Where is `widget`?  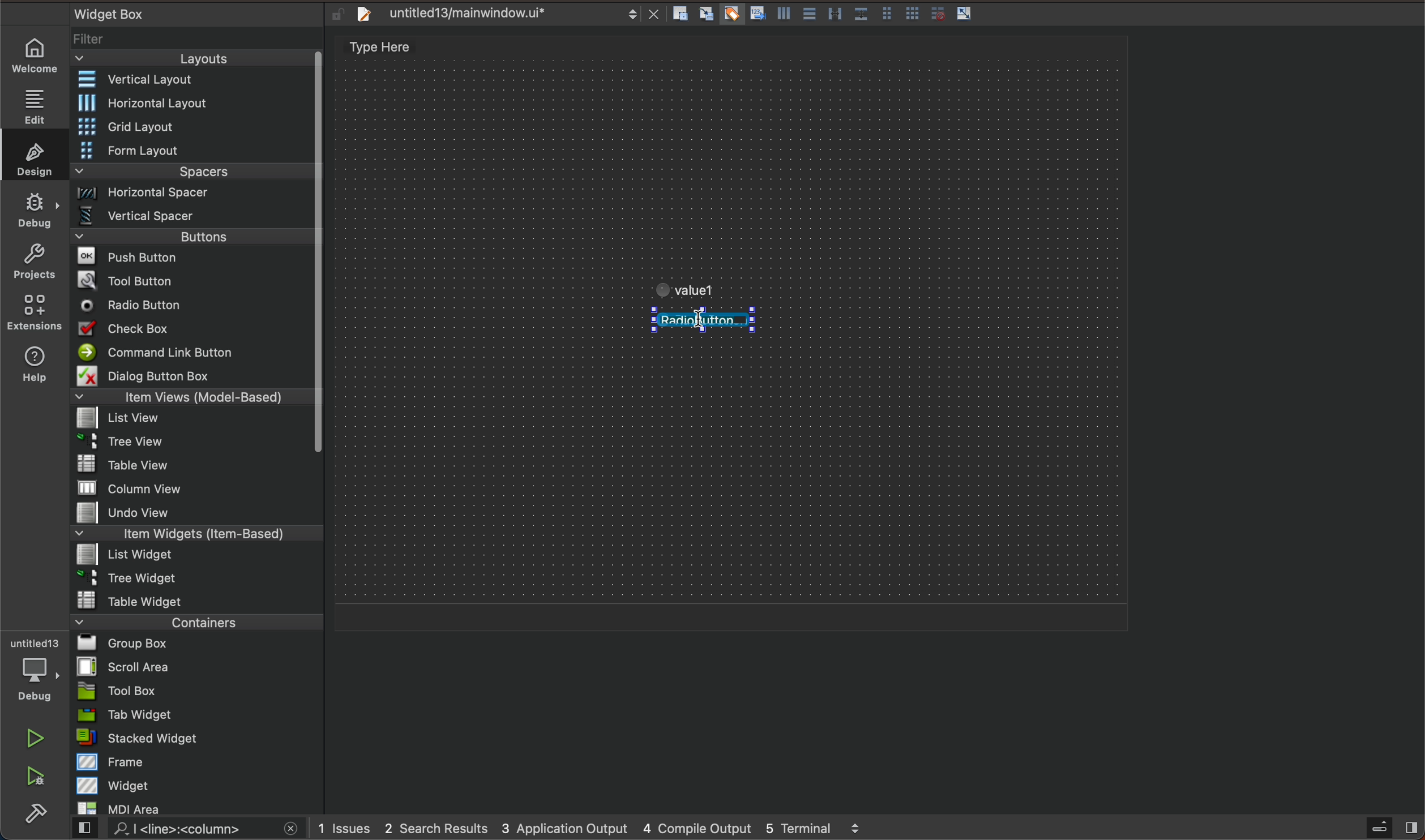
widget is located at coordinates (199, 785).